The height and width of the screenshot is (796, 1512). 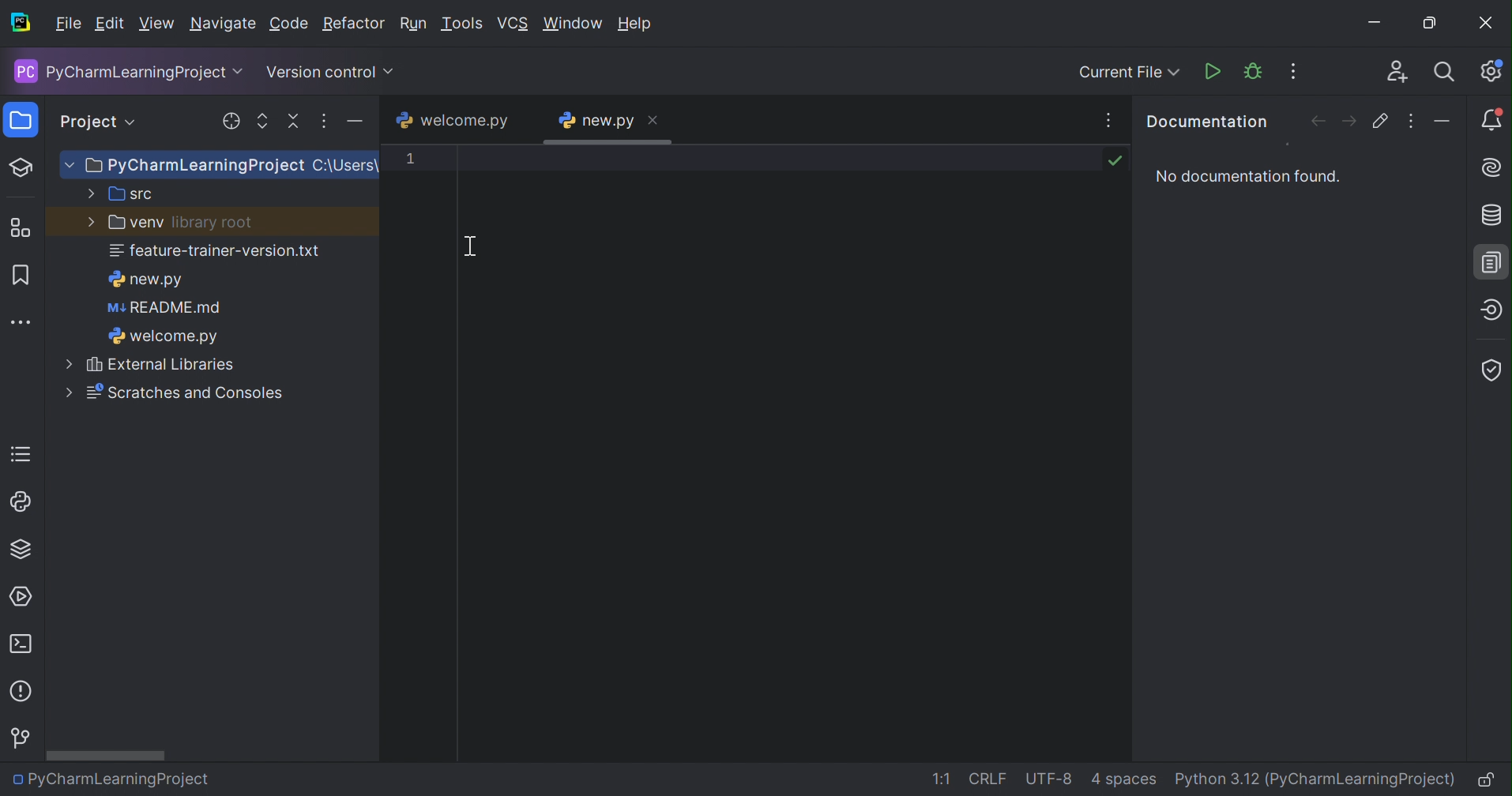 What do you see at coordinates (162, 338) in the screenshot?
I see `welcome.py` at bounding box center [162, 338].